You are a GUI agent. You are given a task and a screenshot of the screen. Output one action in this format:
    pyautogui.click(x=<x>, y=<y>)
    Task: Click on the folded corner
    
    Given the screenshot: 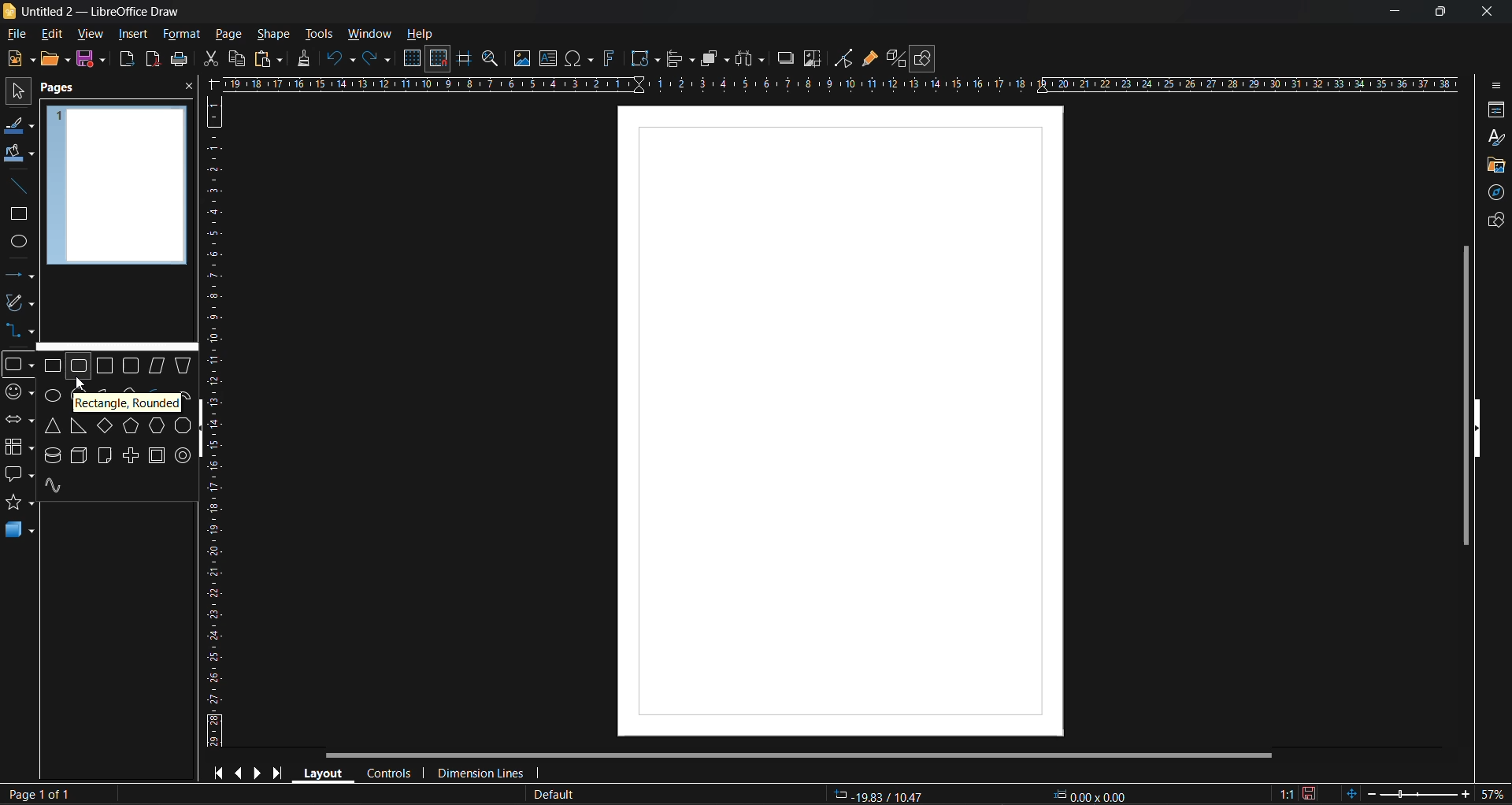 What is the action you would take?
    pyautogui.click(x=106, y=457)
    